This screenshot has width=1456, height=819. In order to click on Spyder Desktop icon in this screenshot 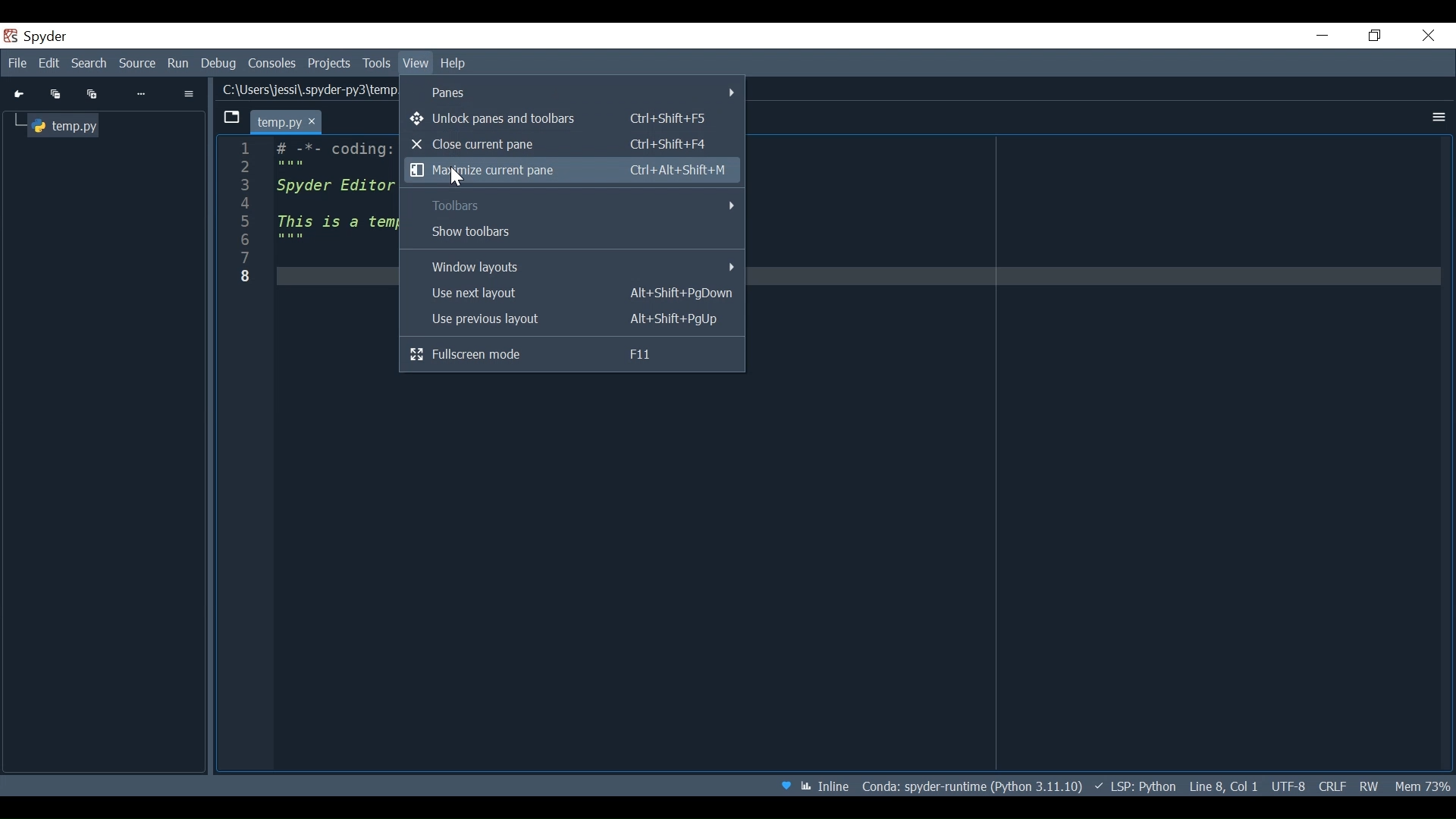, I will do `click(37, 36)`.